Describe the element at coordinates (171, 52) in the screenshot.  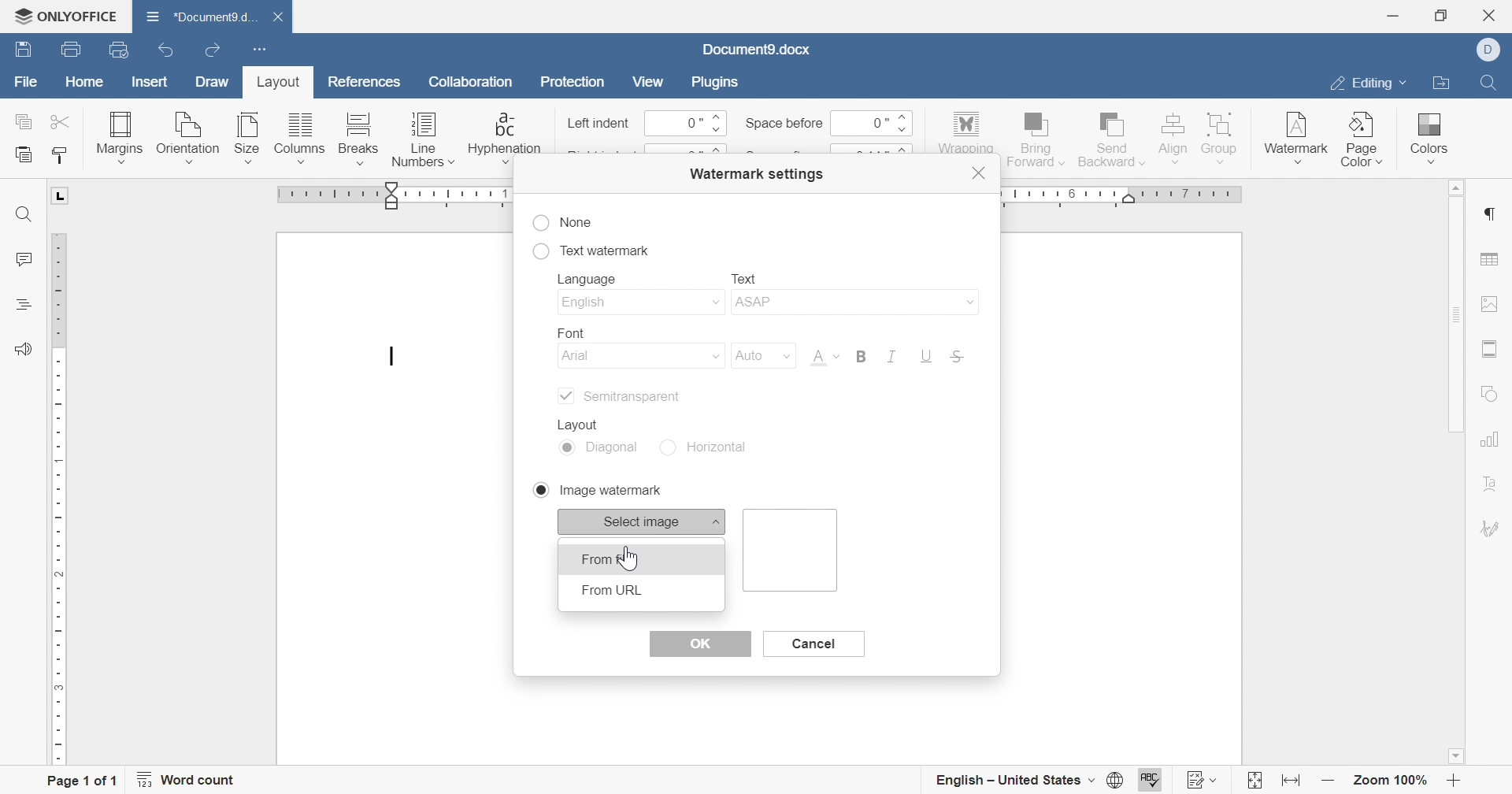
I see `undo` at that location.